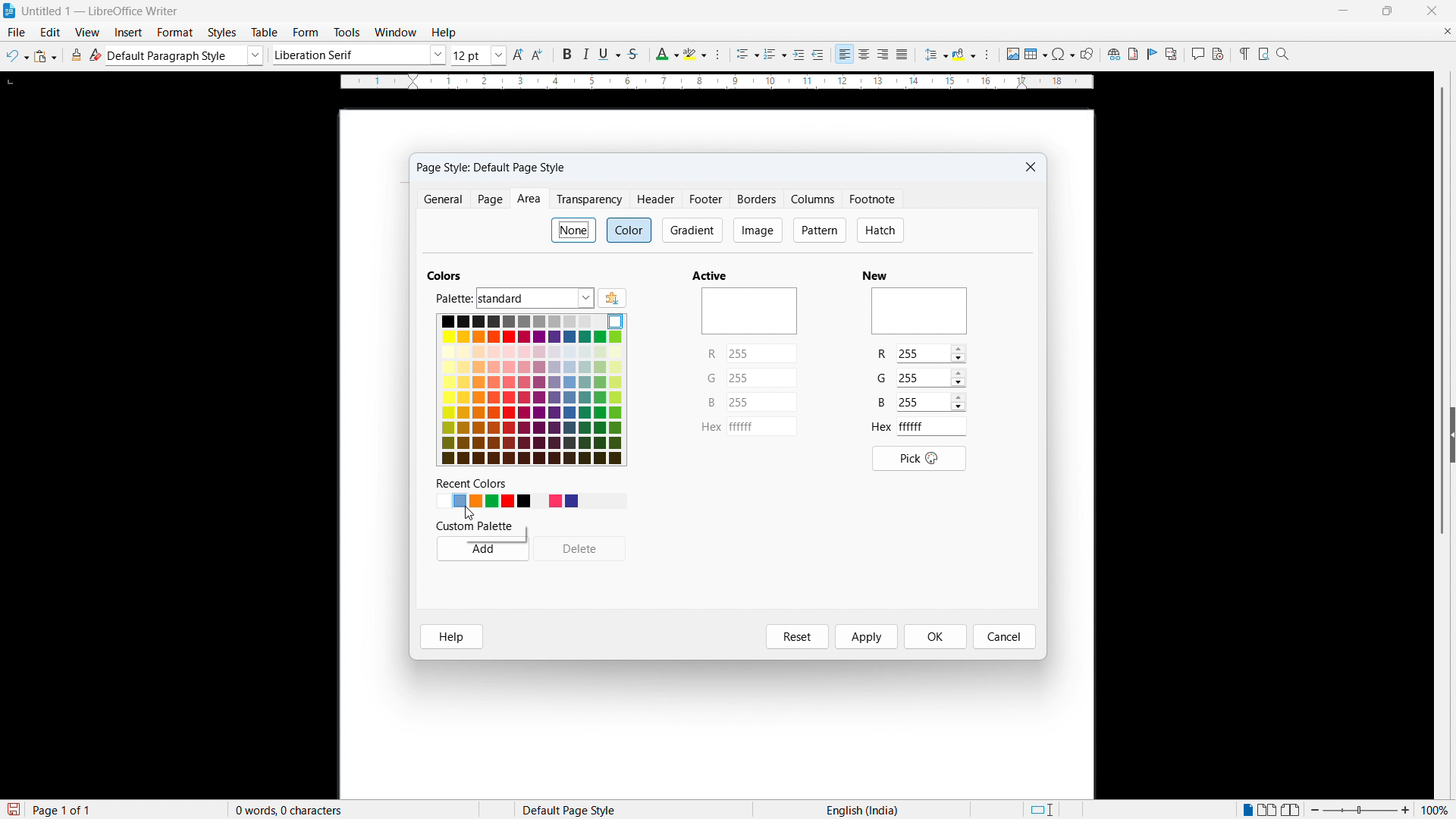  I want to click on Colour , so click(444, 275).